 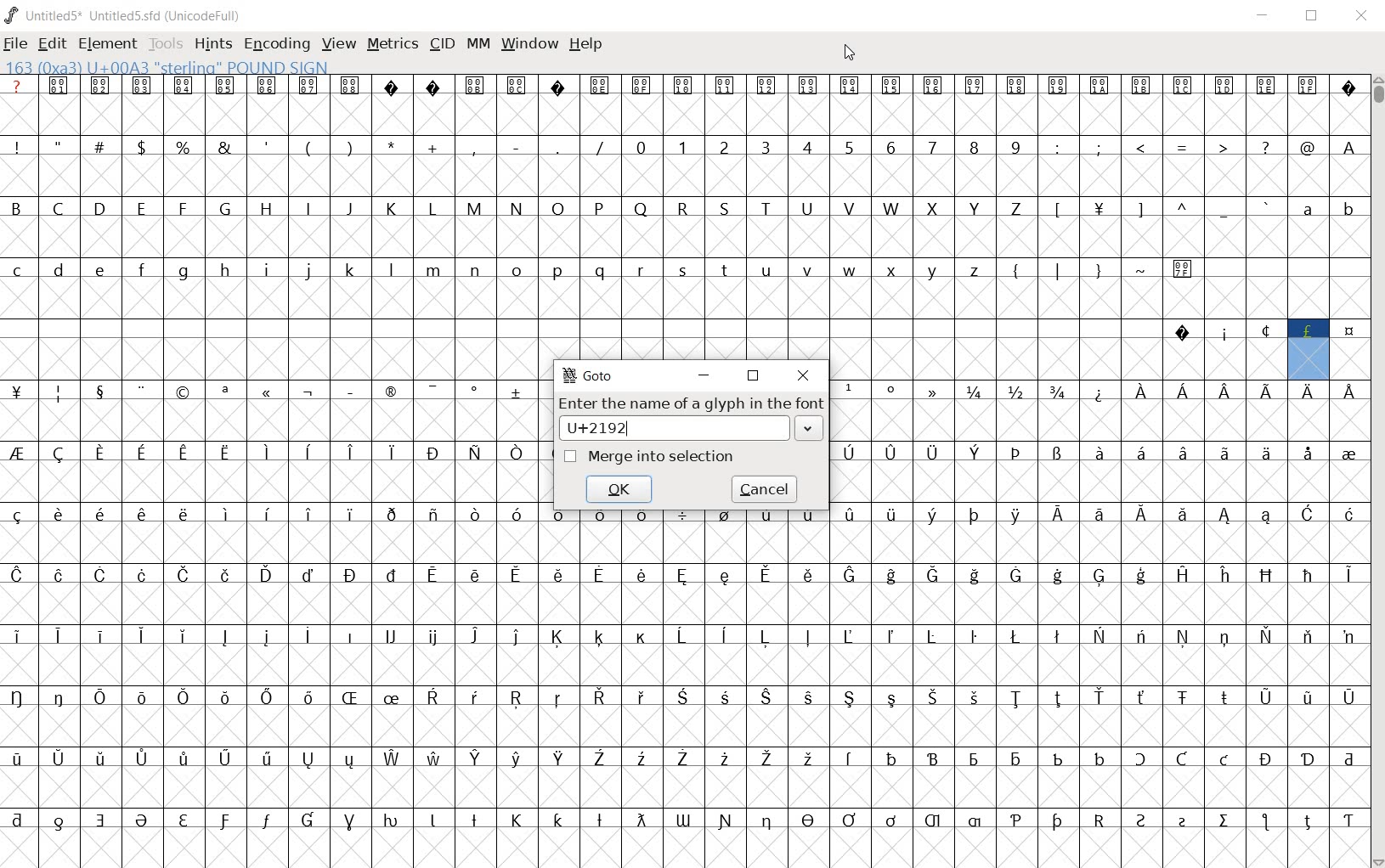 I want to click on glyph characters, so click(x=269, y=472).